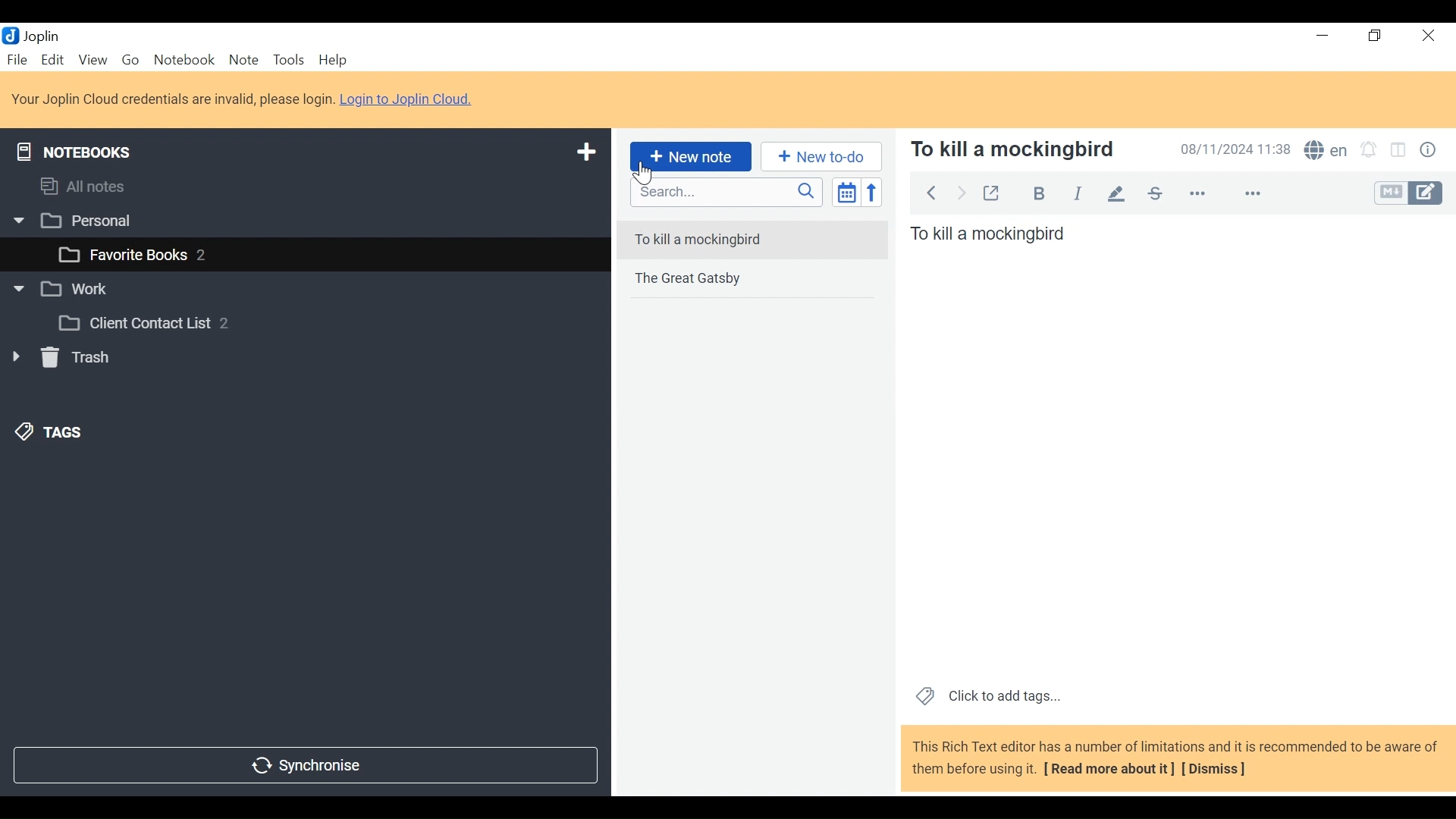  Describe the element at coordinates (1326, 152) in the screenshot. I see `Spell Checker` at that location.